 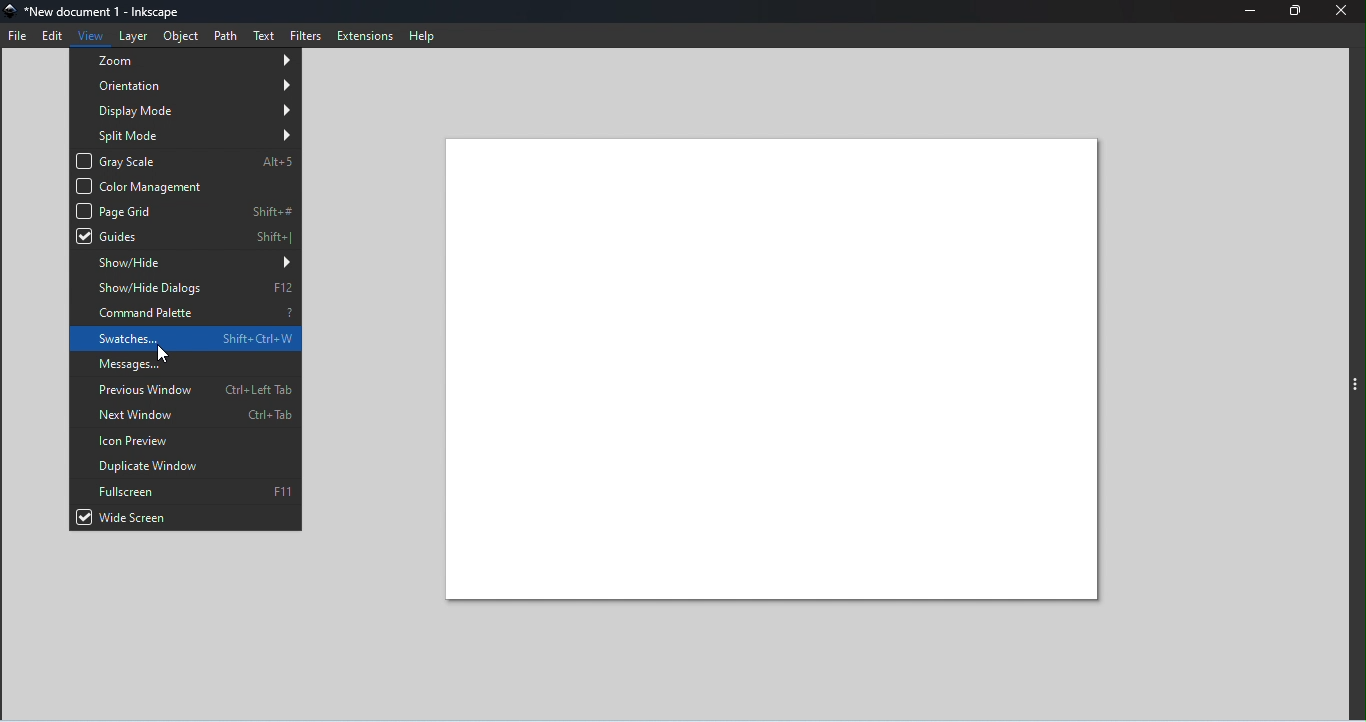 What do you see at coordinates (367, 33) in the screenshot?
I see `Extensions` at bounding box center [367, 33].